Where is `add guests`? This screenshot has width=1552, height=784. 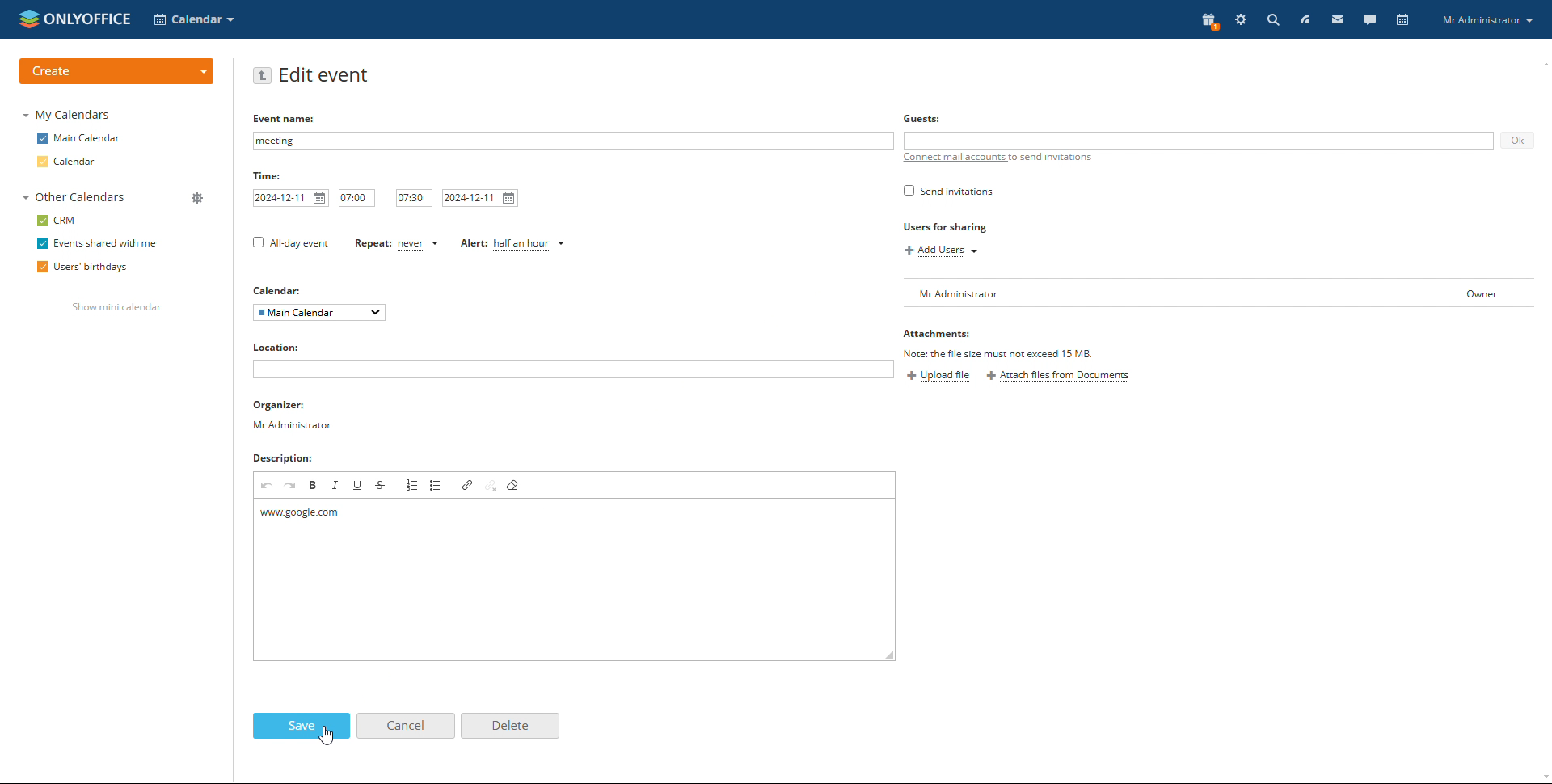 add guests is located at coordinates (1198, 141).